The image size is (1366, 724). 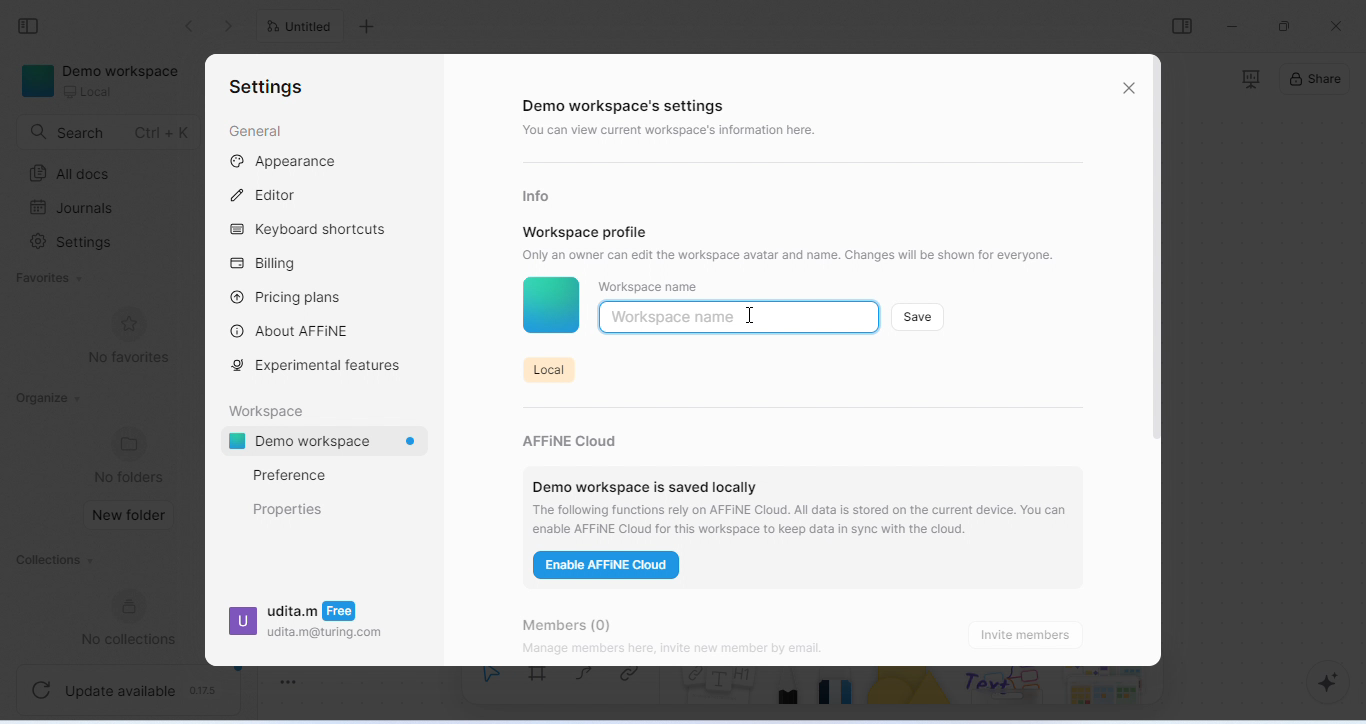 What do you see at coordinates (289, 678) in the screenshot?
I see `toggle zoom` at bounding box center [289, 678].